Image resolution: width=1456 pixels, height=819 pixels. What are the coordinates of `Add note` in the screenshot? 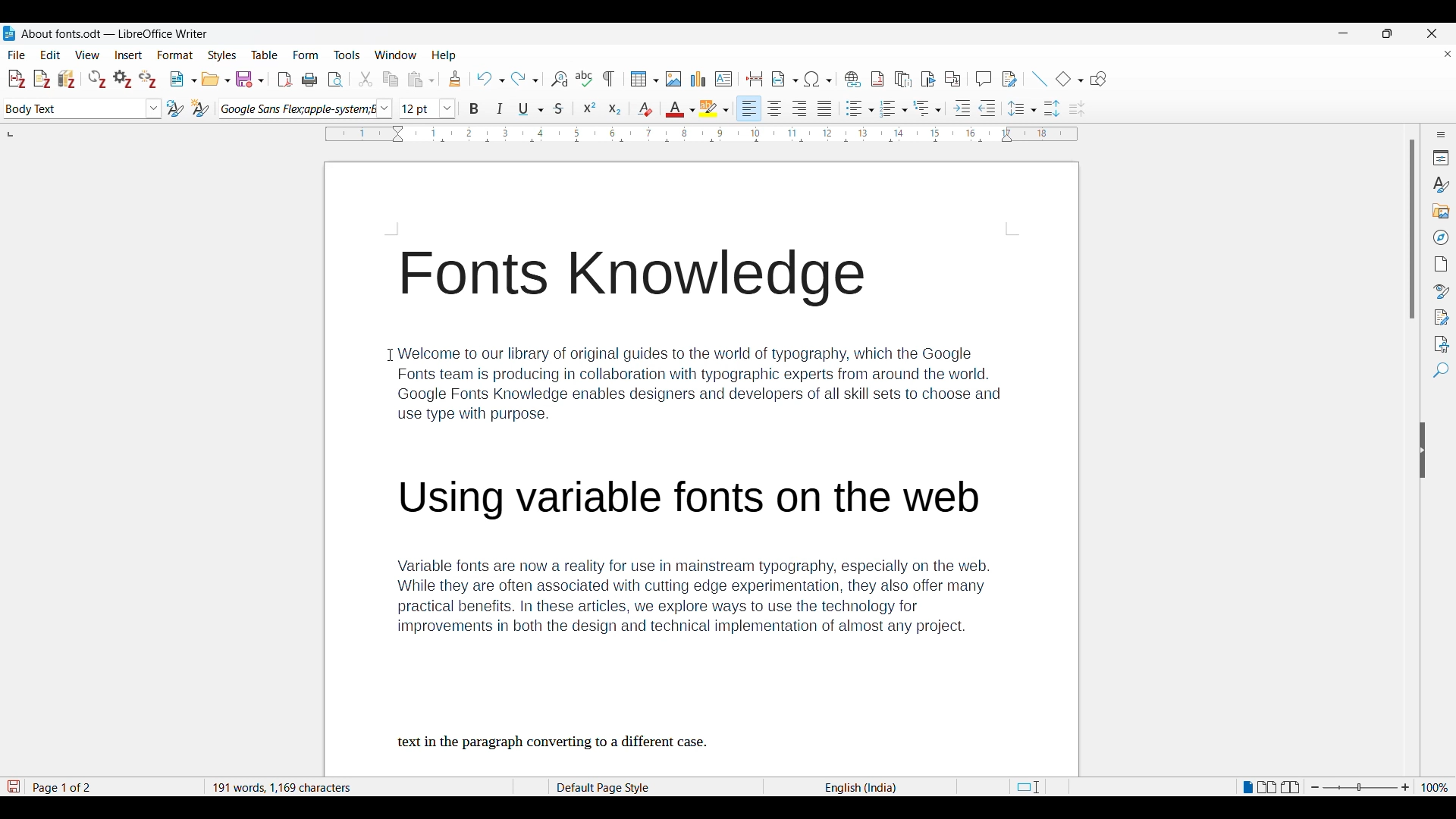 It's located at (42, 80).